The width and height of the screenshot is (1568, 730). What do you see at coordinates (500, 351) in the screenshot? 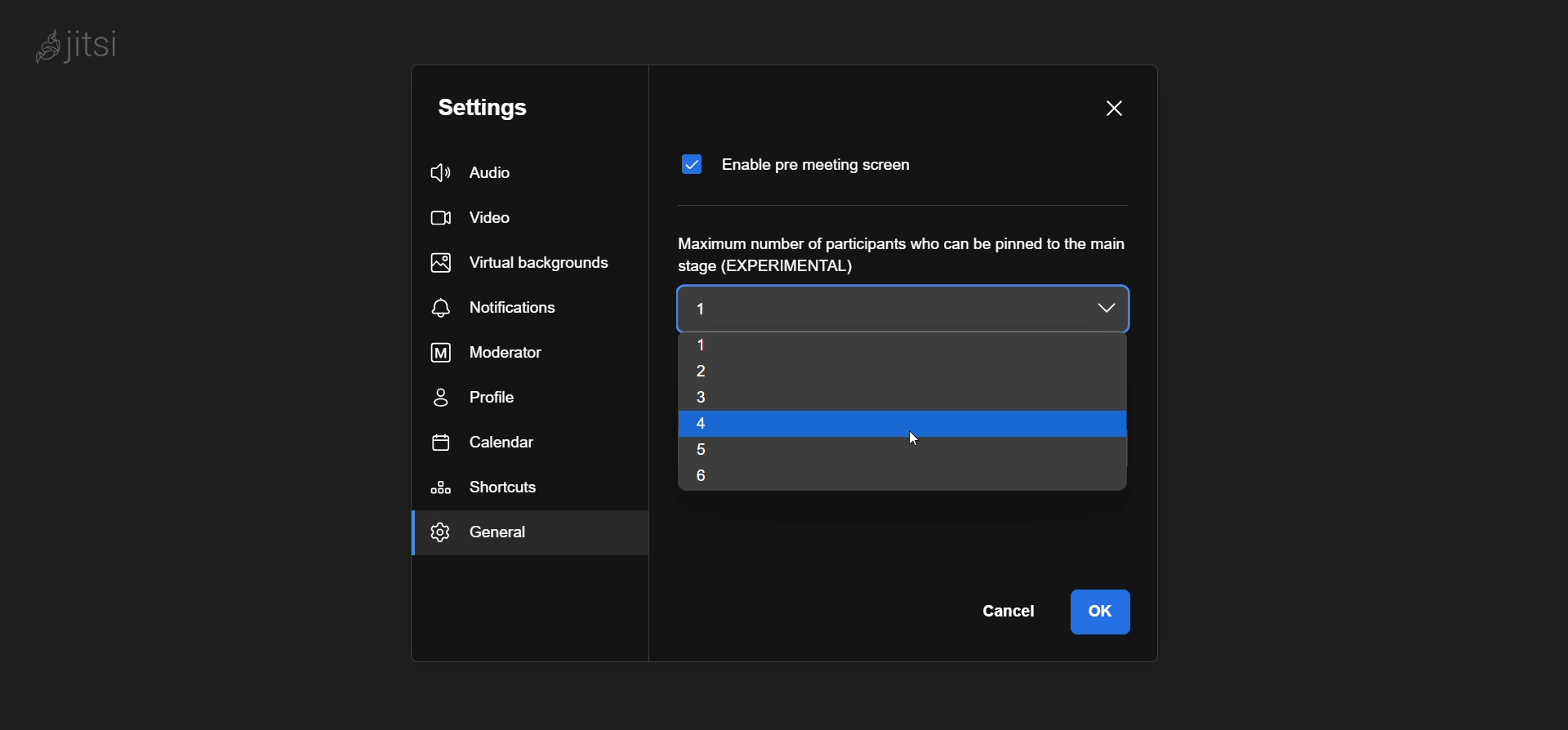
I see `moderator` at bounding box center [500, 351].